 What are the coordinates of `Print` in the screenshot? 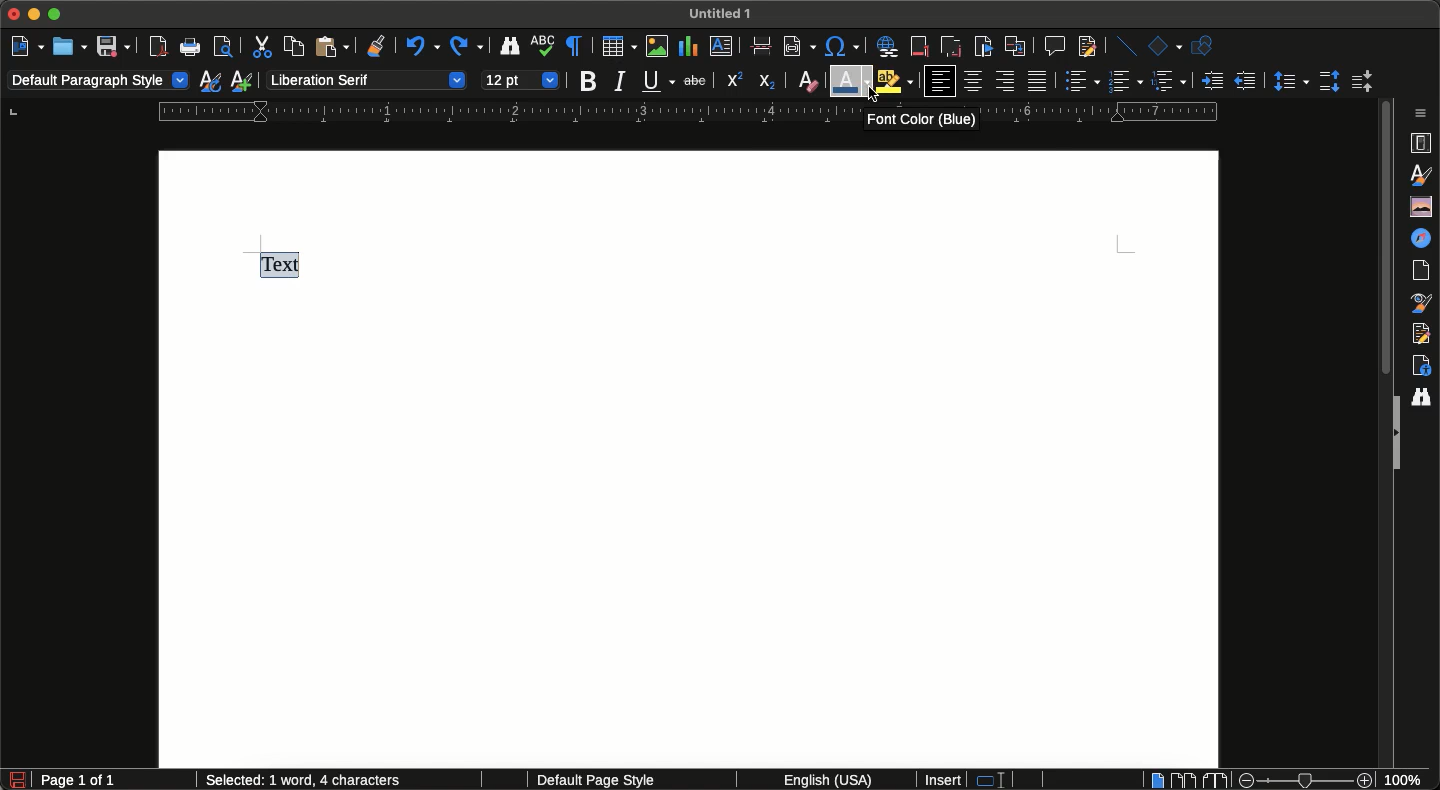 It's located at (192, 49).